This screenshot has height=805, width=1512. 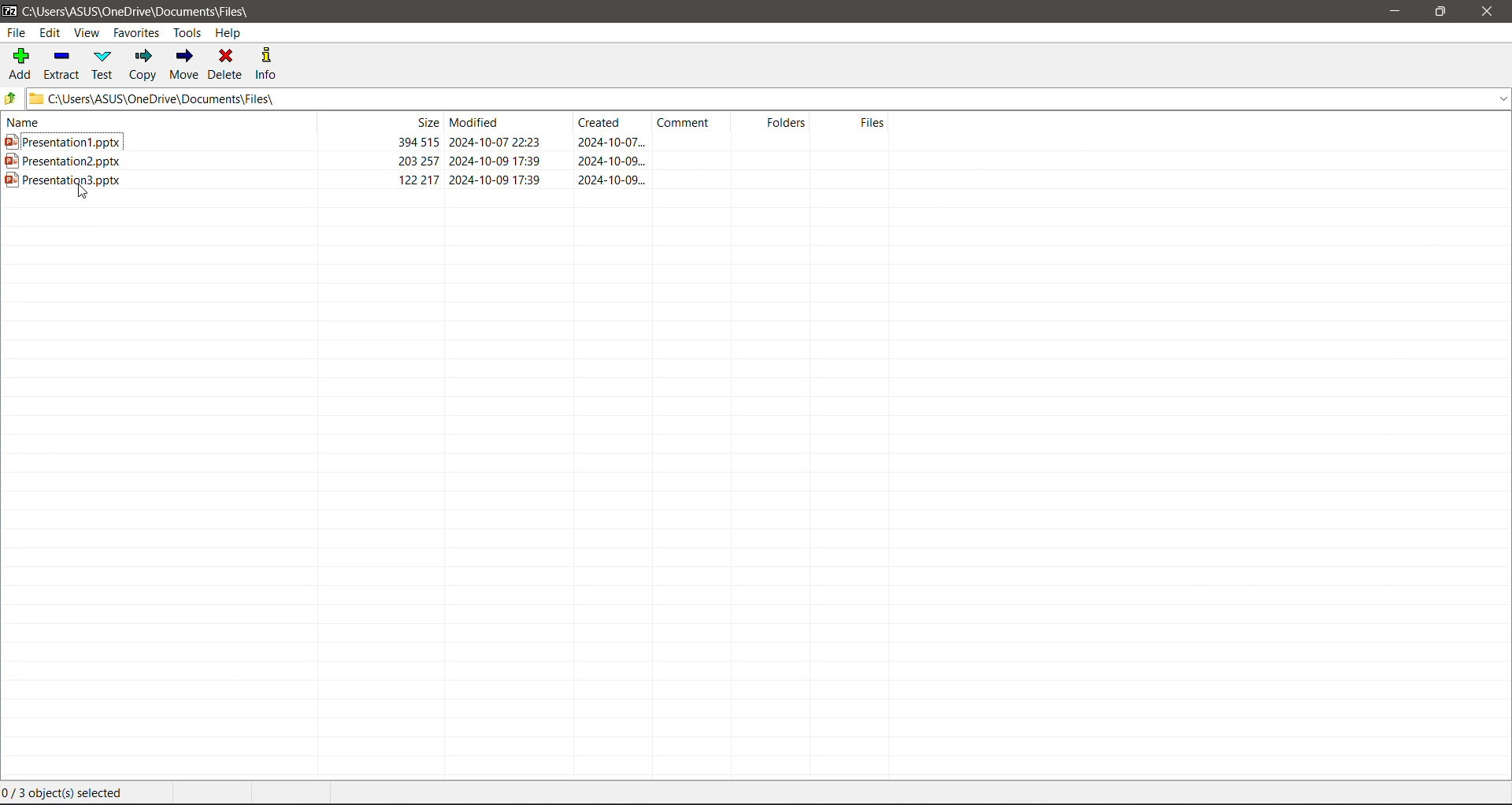 I want to click on Favorites, so click(x=137, y=32).